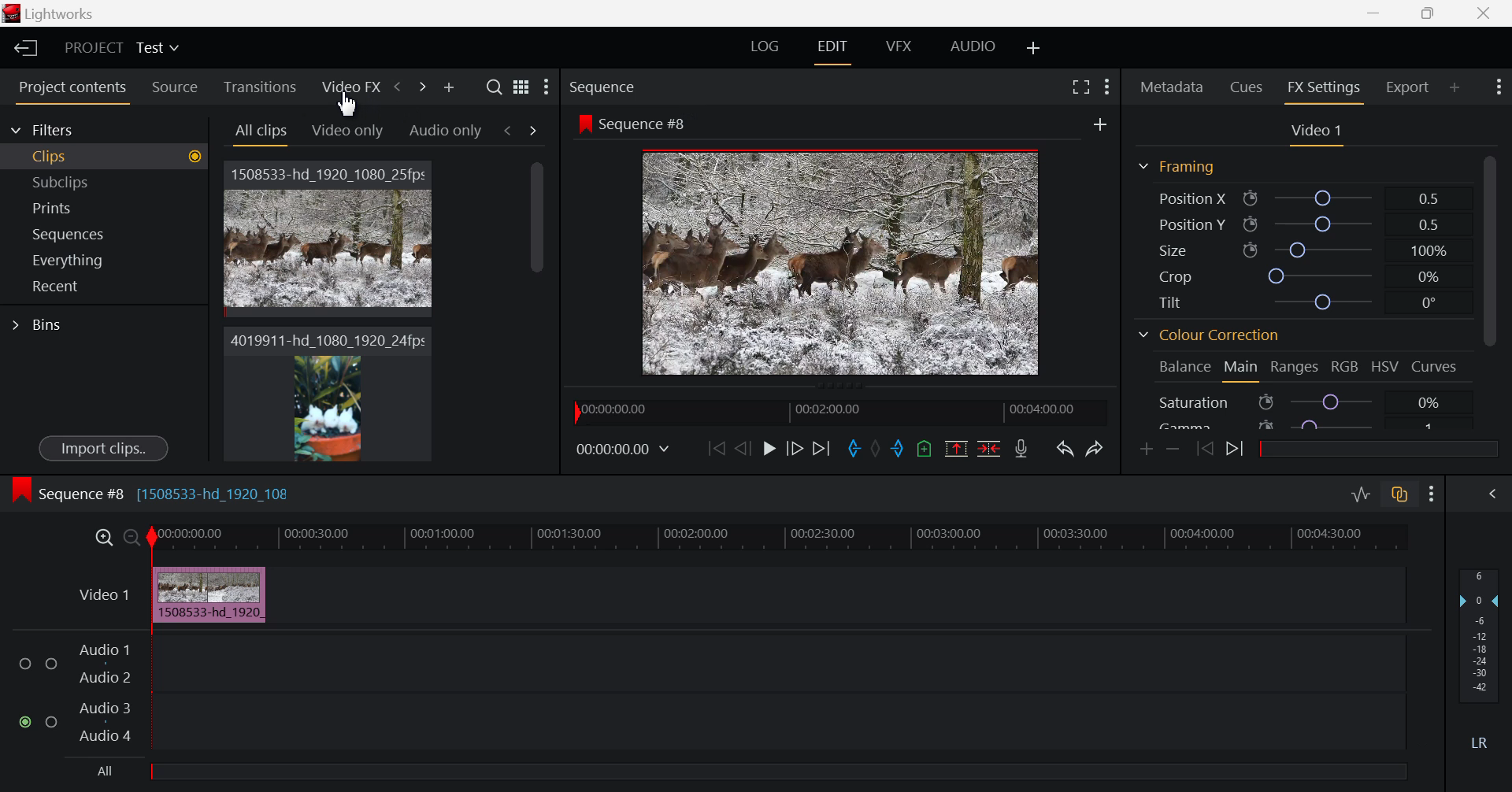 The width and height of the screenshot is (1512, 792). What do you see at coordinates (67, 89) in the screenshot?
I see `Project contents` at bounding box center [67, 89].